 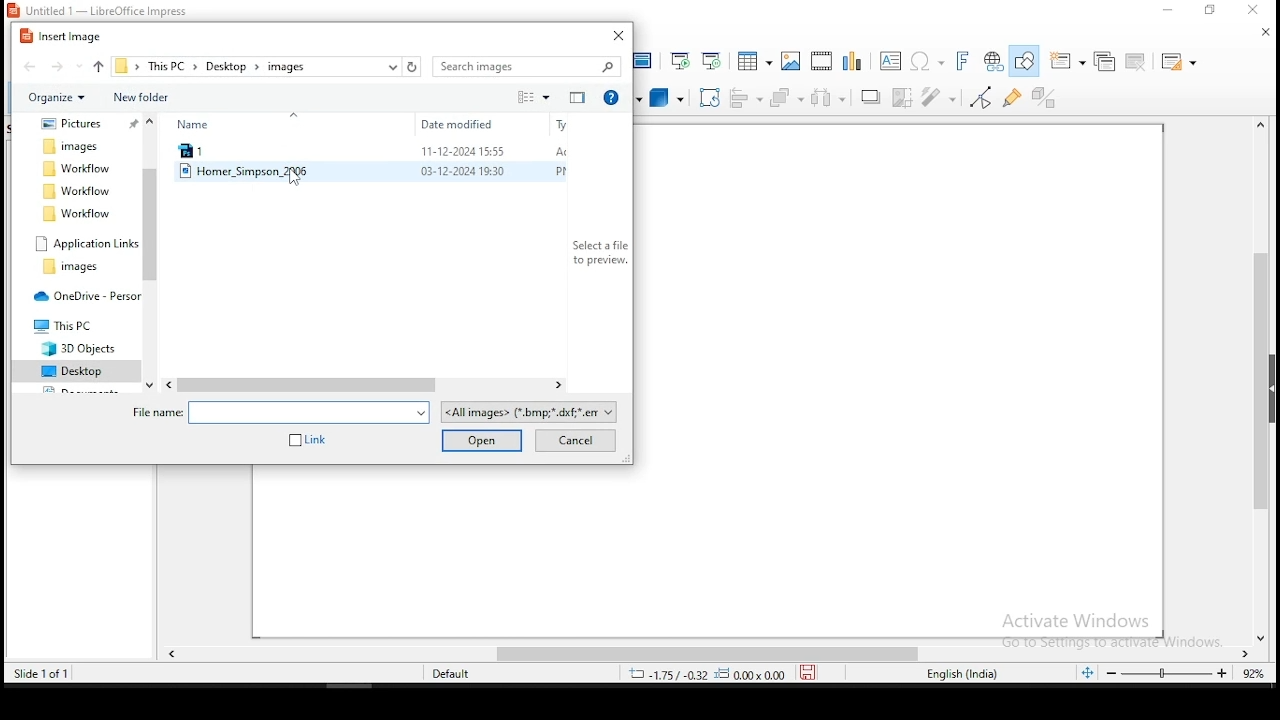 I want to click on insert hyperlink, so click(x=995, y=62).